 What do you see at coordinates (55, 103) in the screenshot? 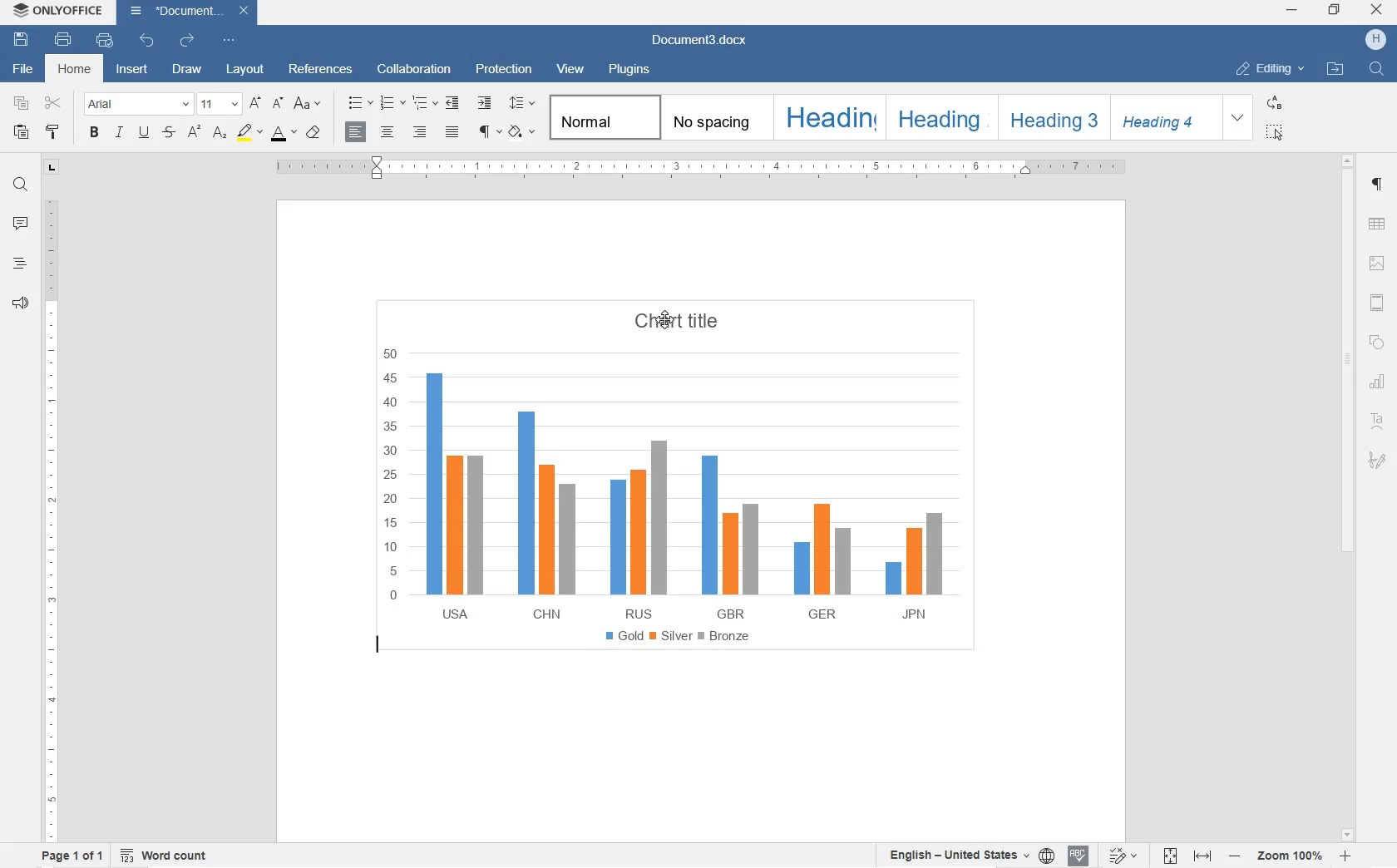
I see `CUT` at bounding box center [55, 103].